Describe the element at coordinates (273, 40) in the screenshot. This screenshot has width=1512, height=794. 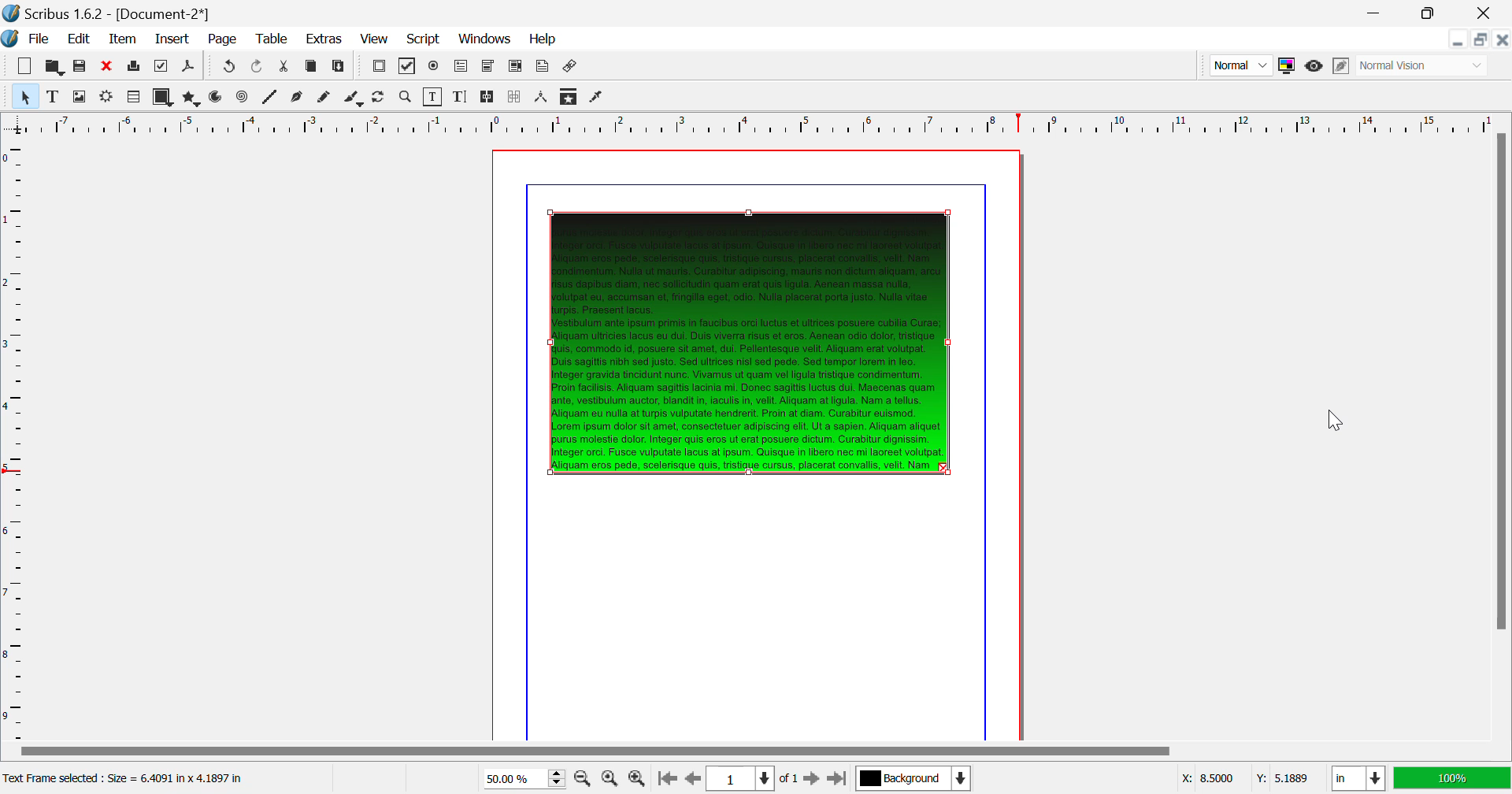
I see `Table` at that location.